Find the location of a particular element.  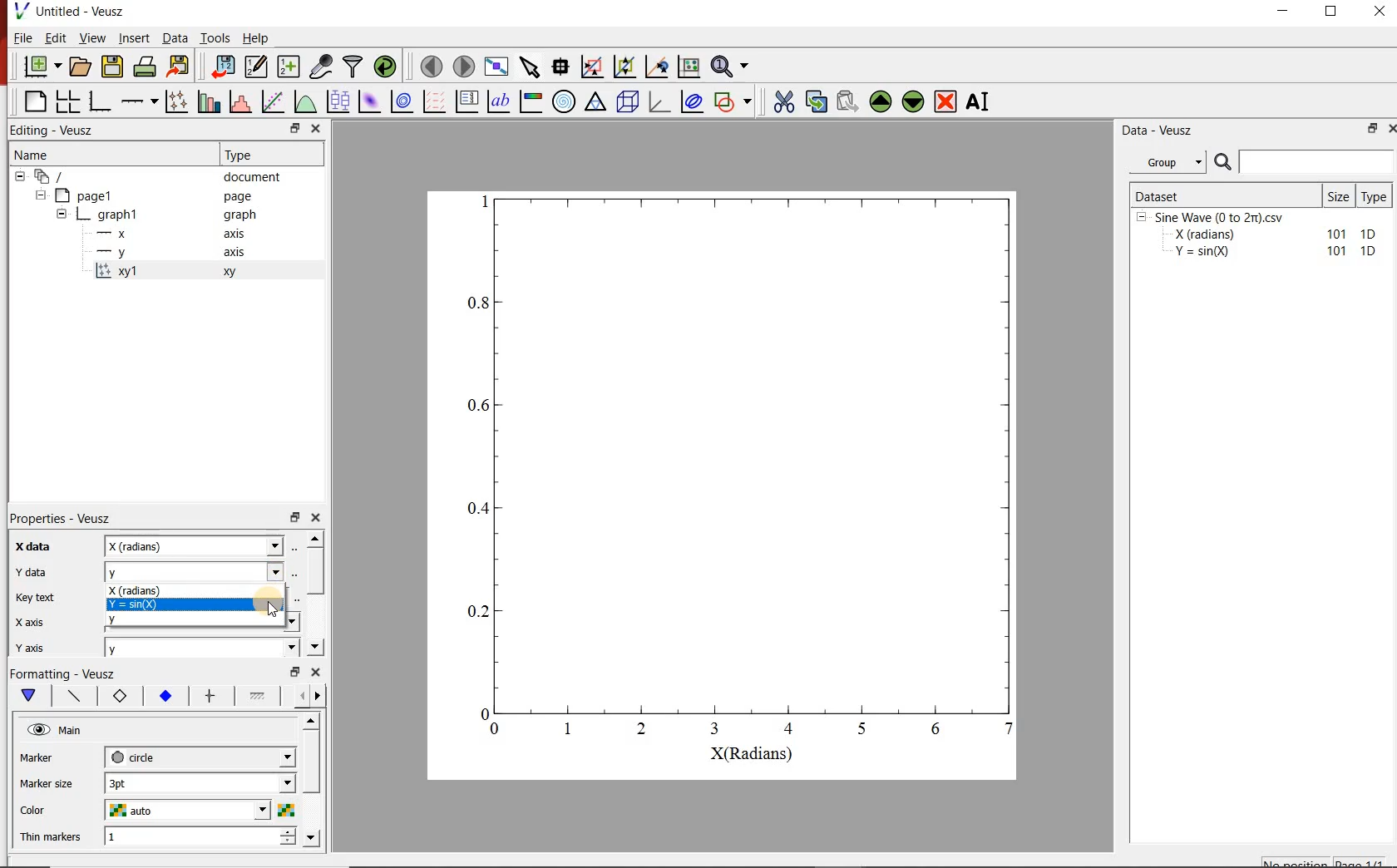

go to next page is located at coordinates (464, 65).